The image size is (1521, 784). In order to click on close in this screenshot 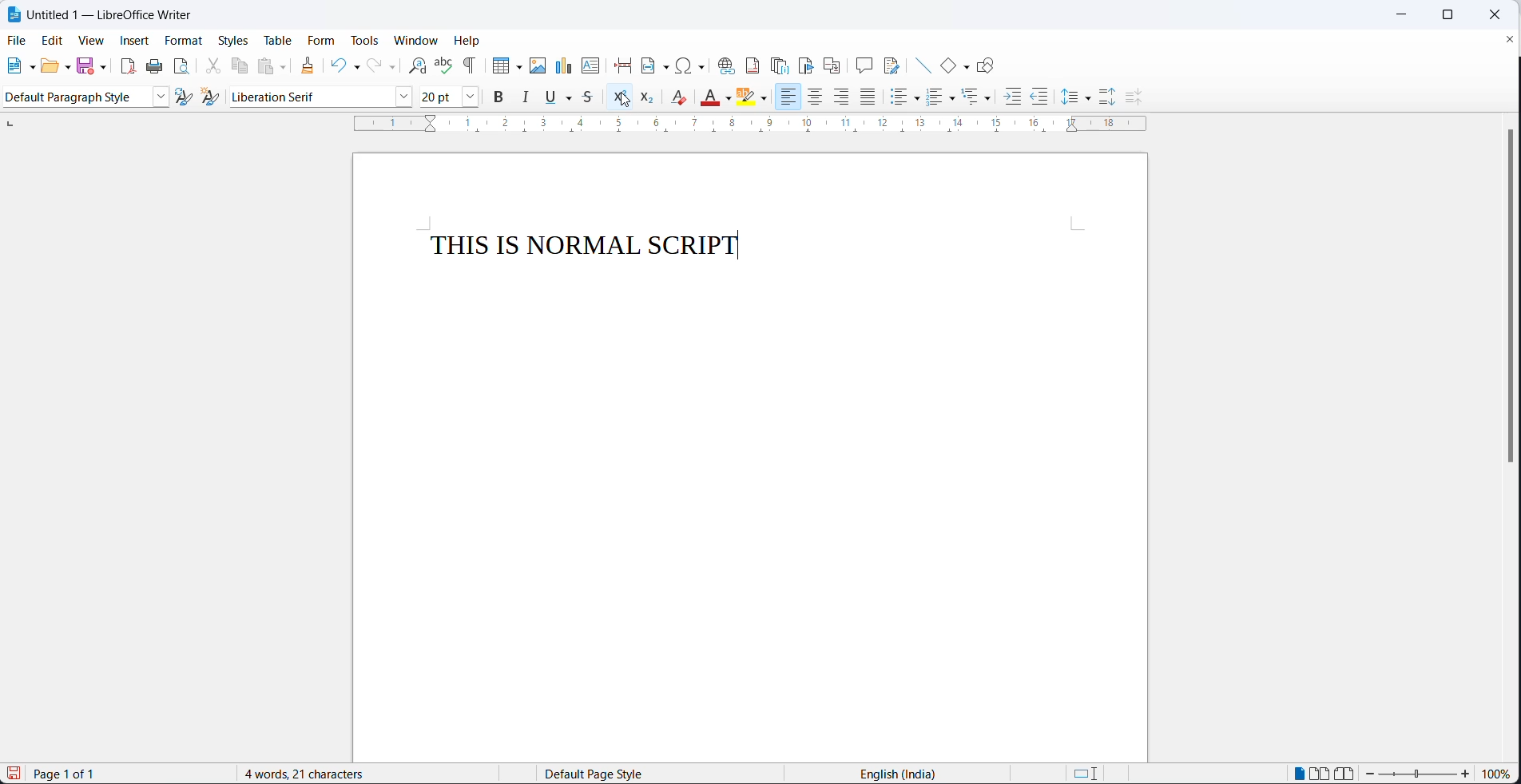, I will do `click(1494, 16)`.